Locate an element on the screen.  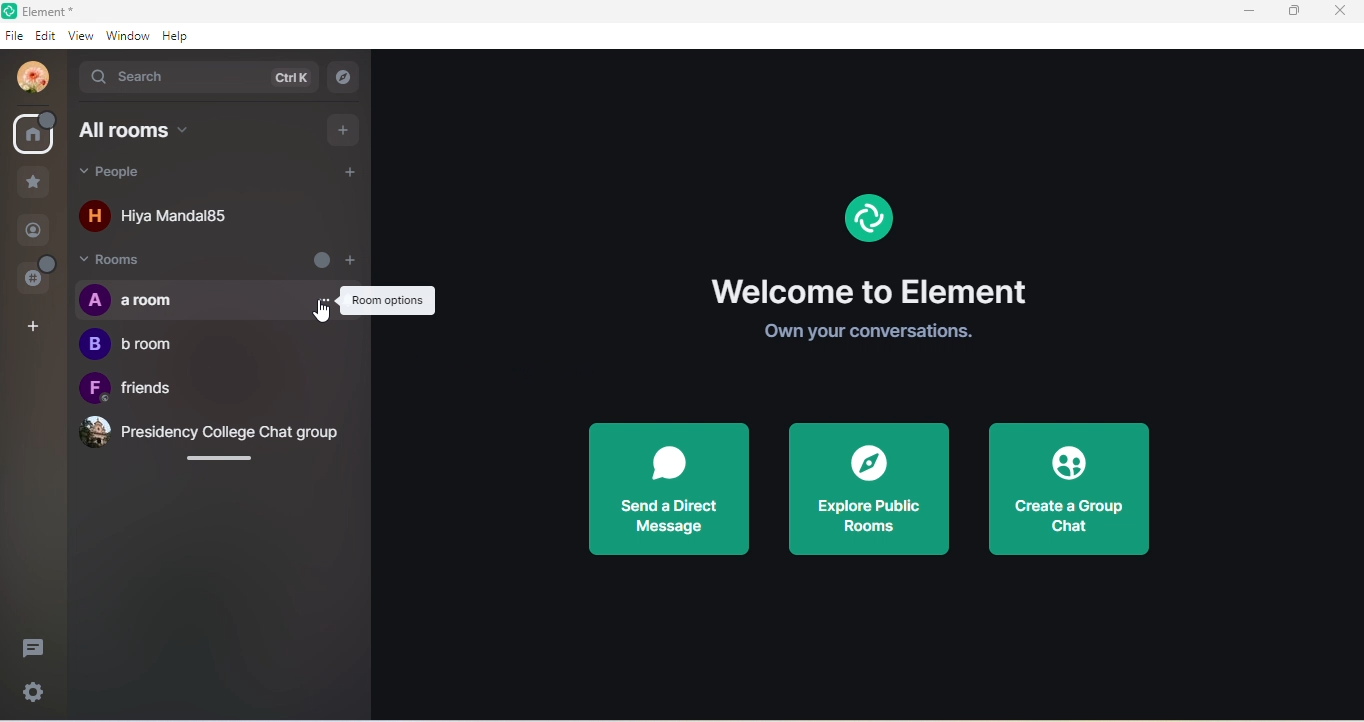
add is located at coordinates (353, 175).